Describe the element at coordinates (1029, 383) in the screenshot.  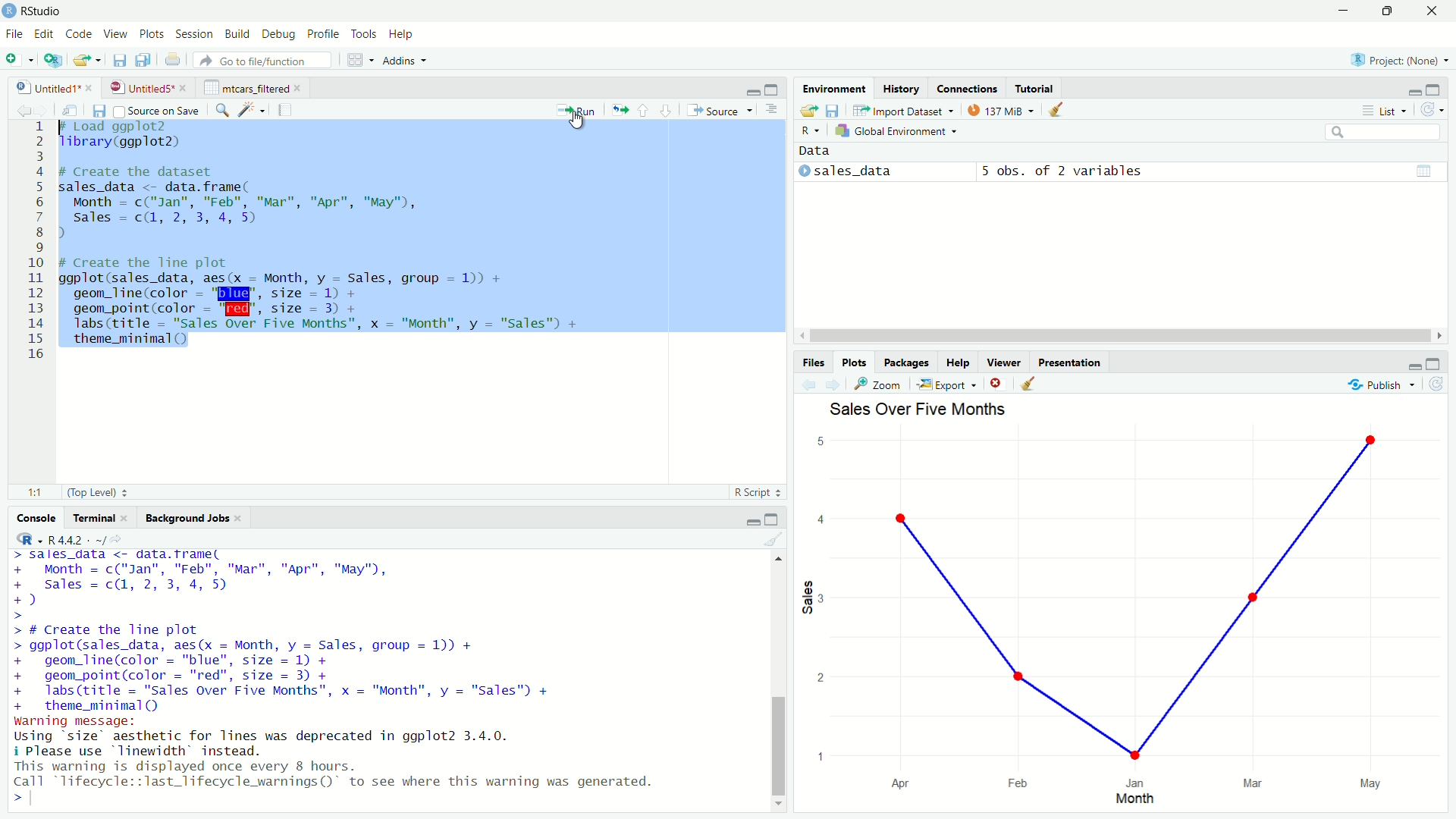
I see `clear all plots` at that location.